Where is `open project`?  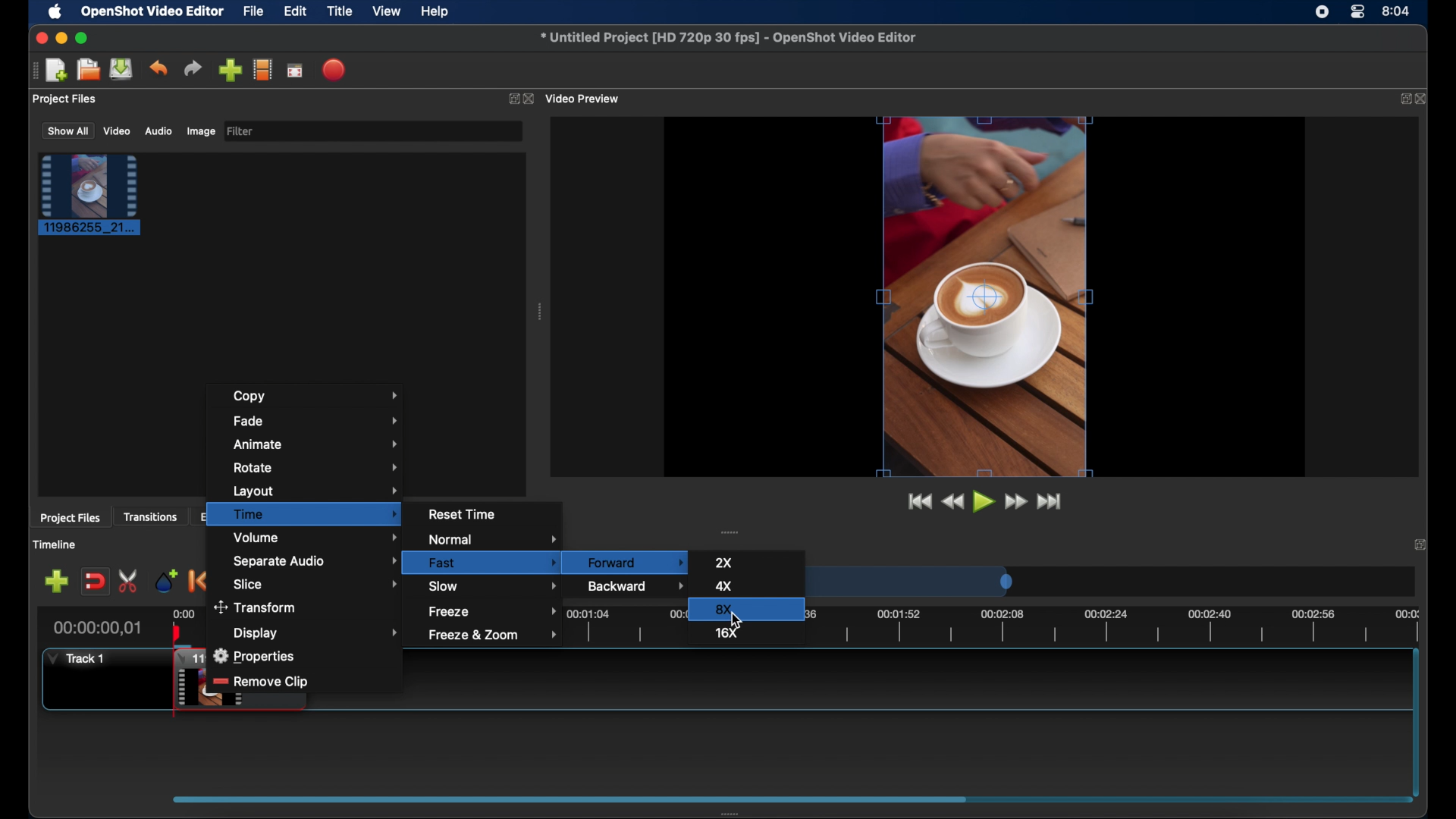
open project is located at coordinates (88, 70).